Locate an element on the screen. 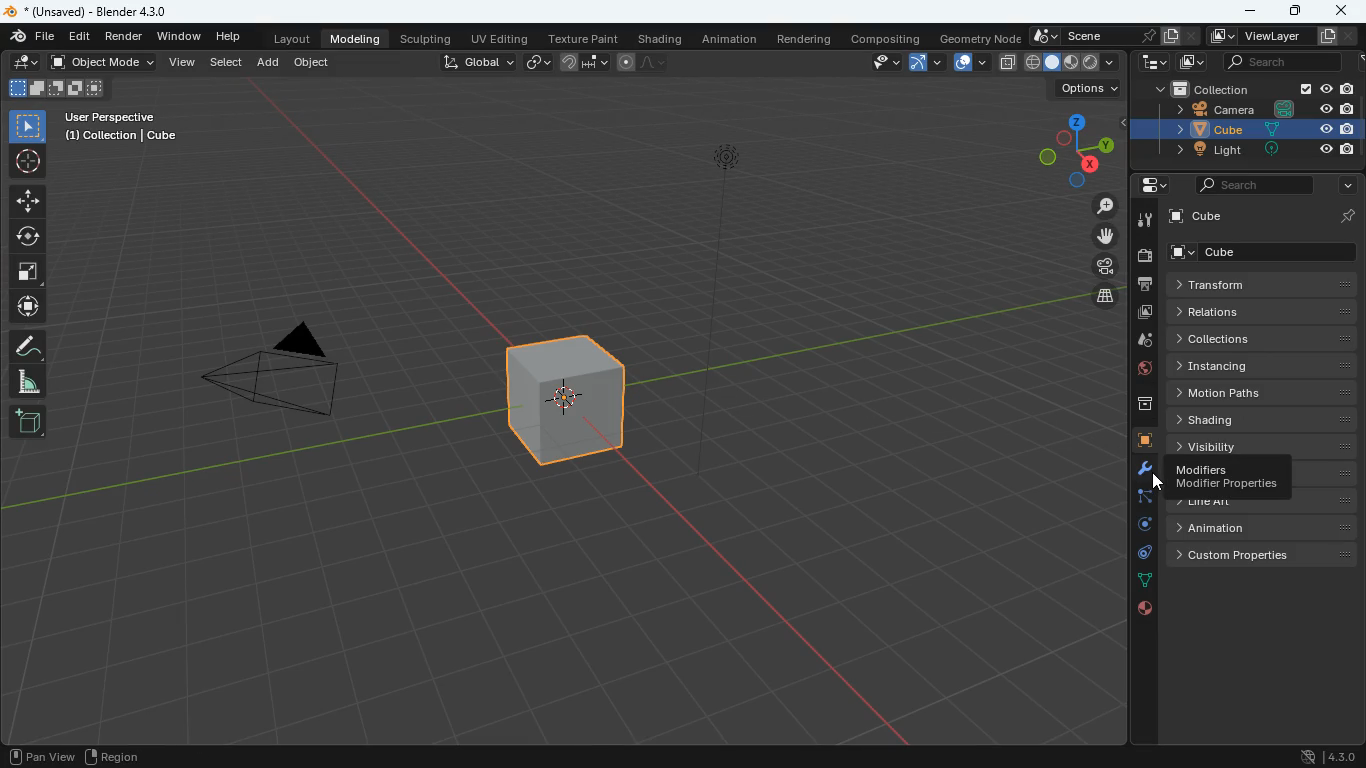 This screenshot has width=1366, height=768. visibility is located at coordinates (1269, 447).